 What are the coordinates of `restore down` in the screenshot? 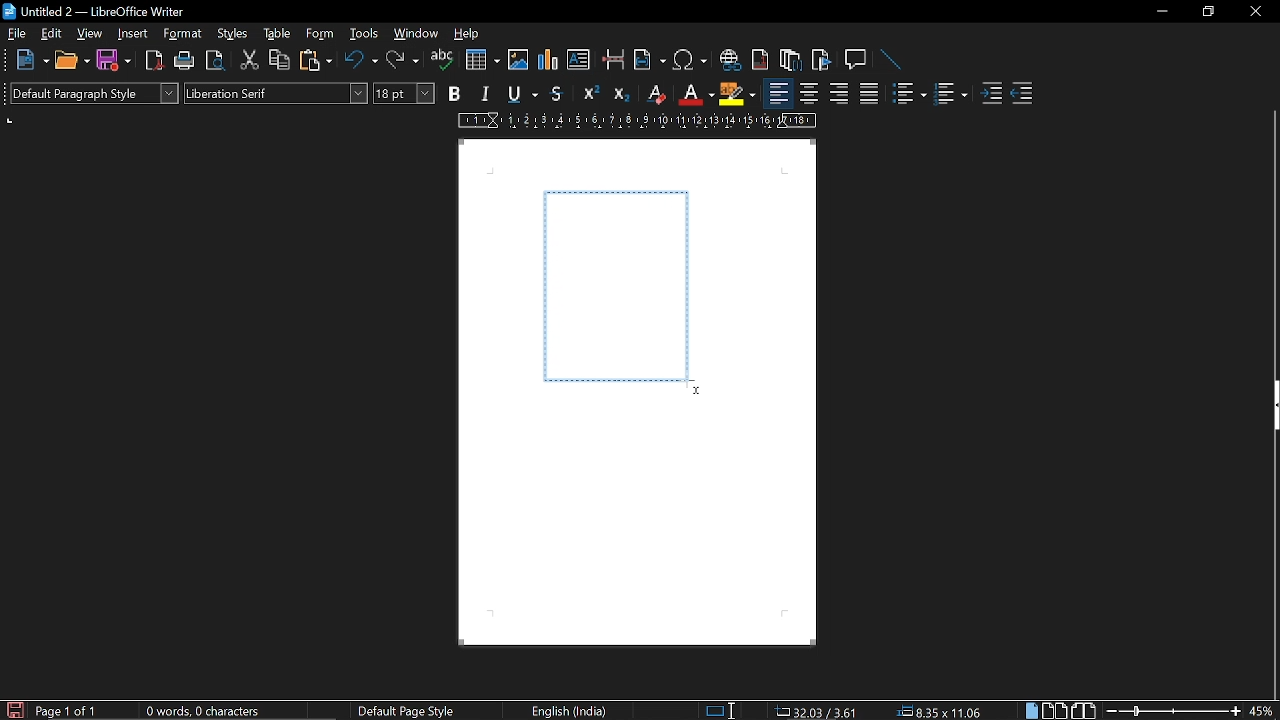 It's located at (1207, 12).